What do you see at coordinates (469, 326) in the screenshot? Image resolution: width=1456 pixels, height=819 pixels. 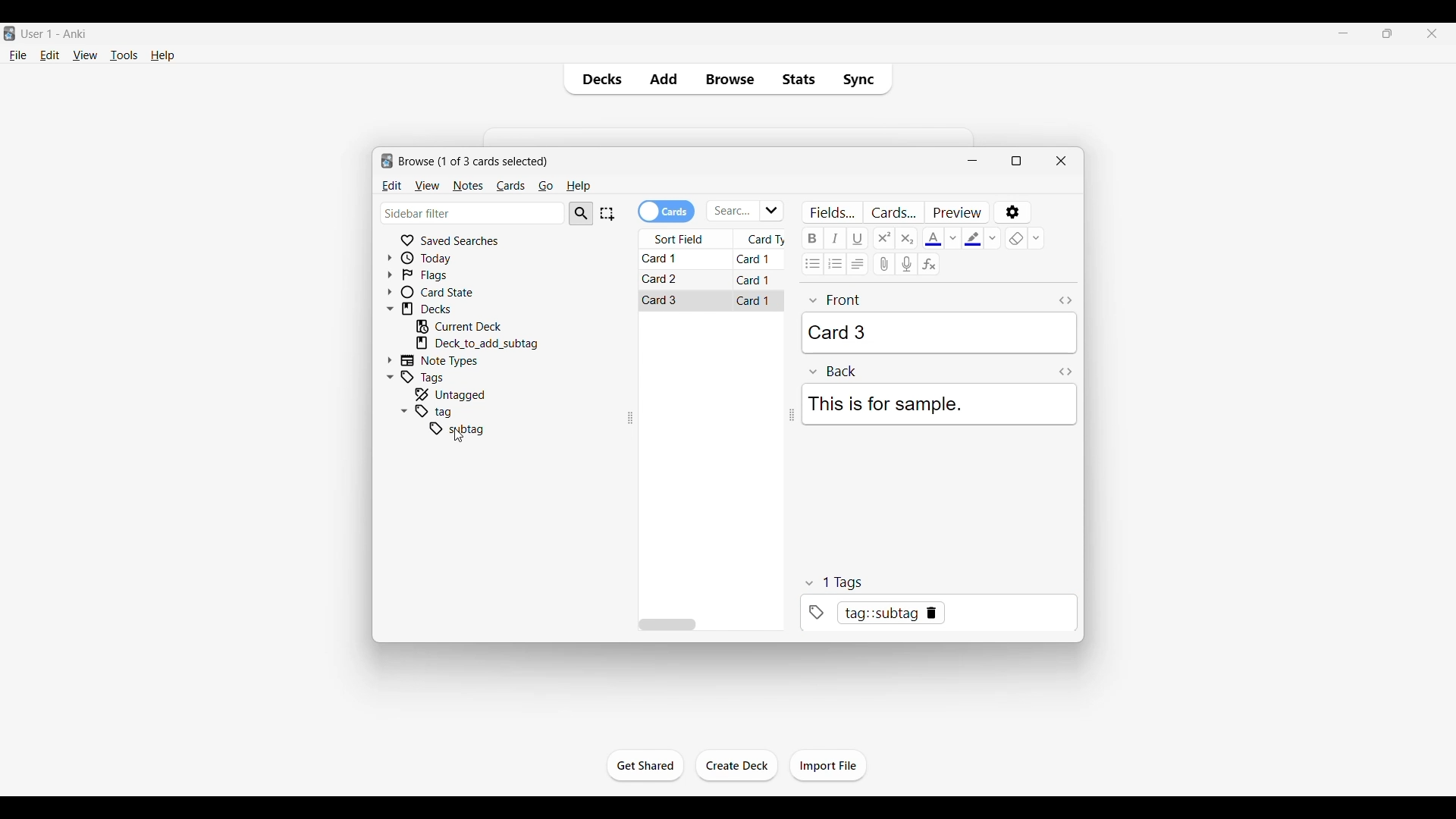 I see `Click to go to current deck` at bounding box center [469, 326].